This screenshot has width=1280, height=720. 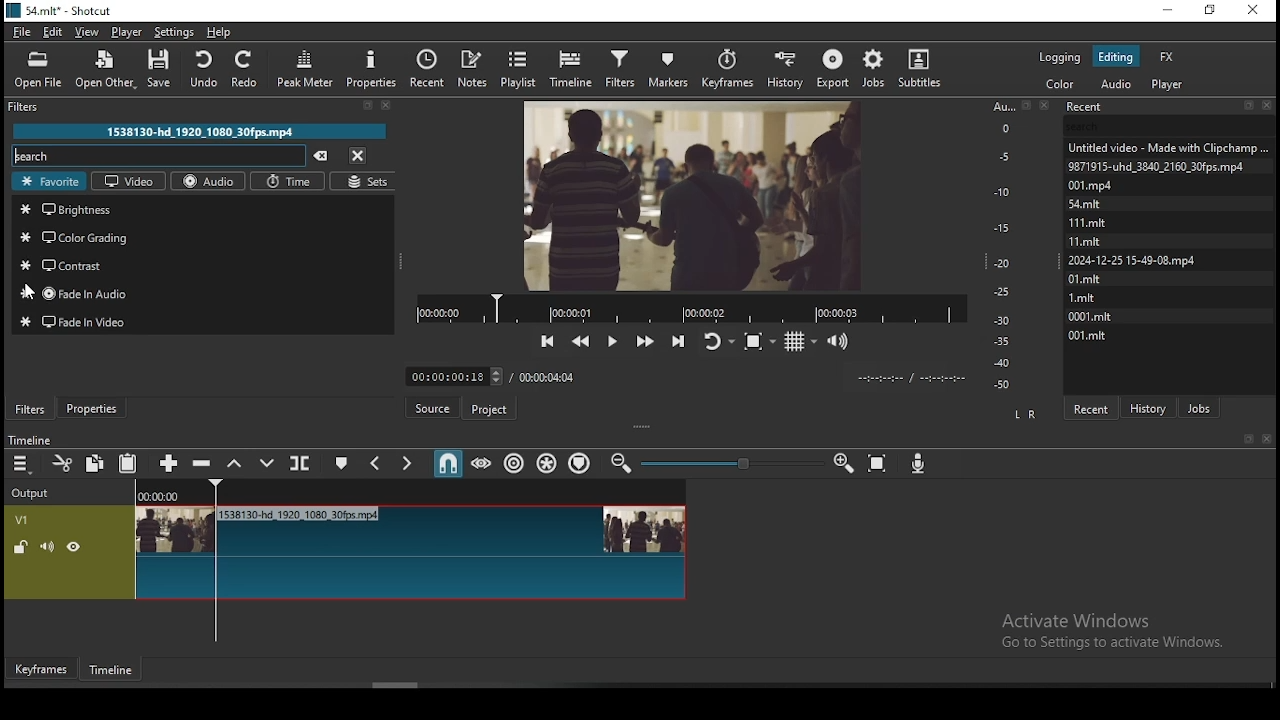 I want to click on Untitled video - Made with ClipChamp...., so click(x=1167, y=148).